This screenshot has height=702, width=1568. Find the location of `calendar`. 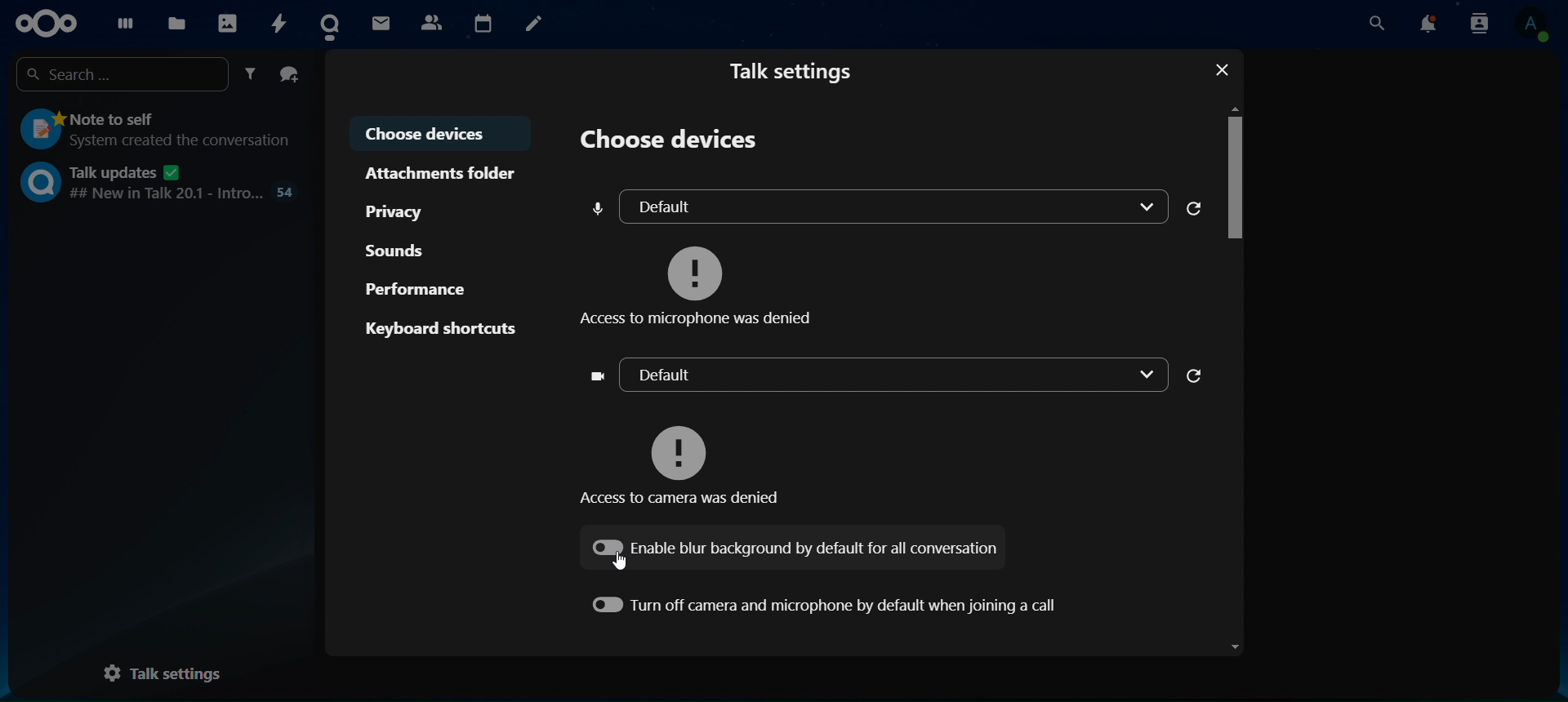

calendar is located at coordinates (482, 20).